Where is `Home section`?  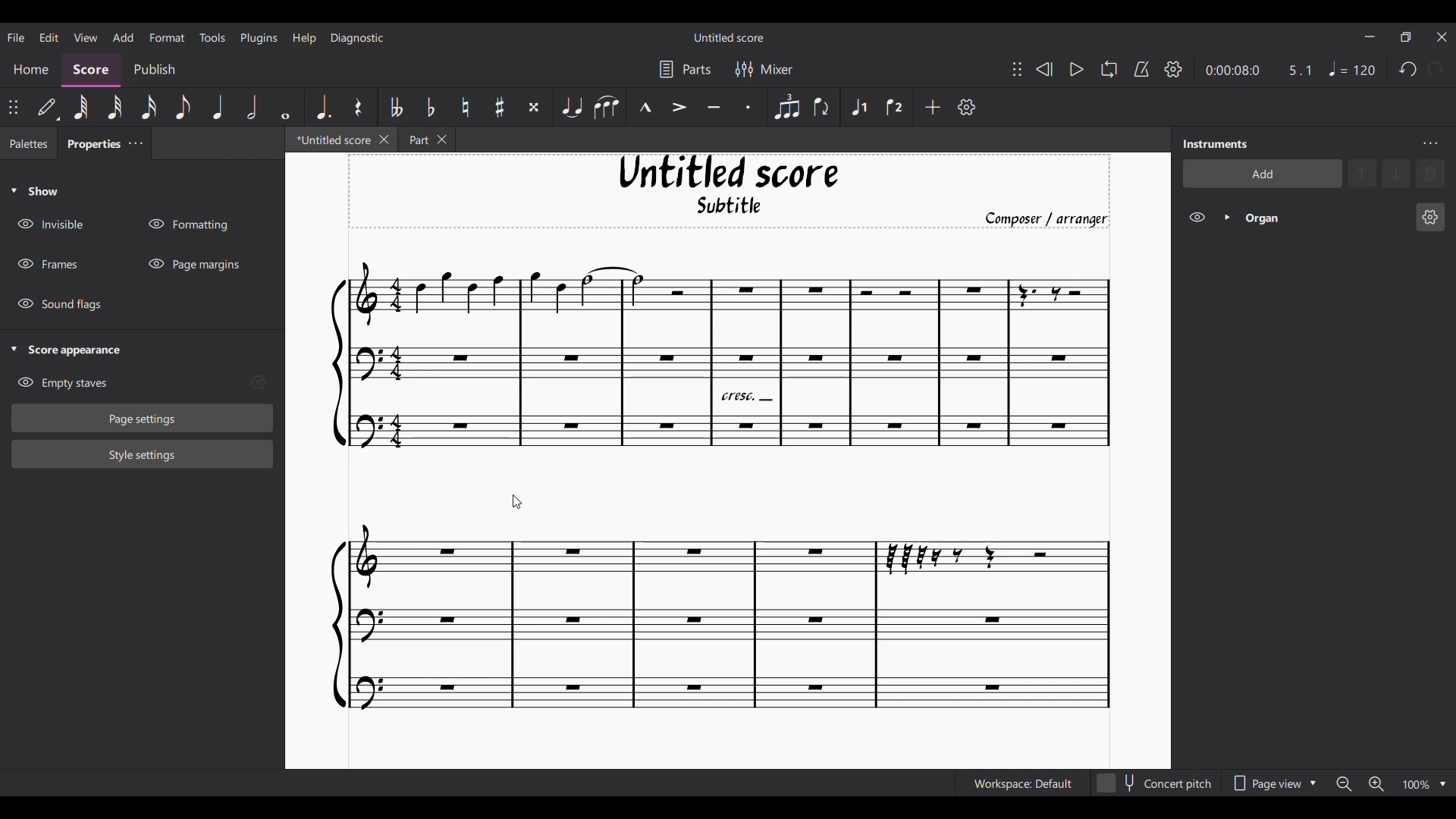
Home section is located at coordinates (32, 69).